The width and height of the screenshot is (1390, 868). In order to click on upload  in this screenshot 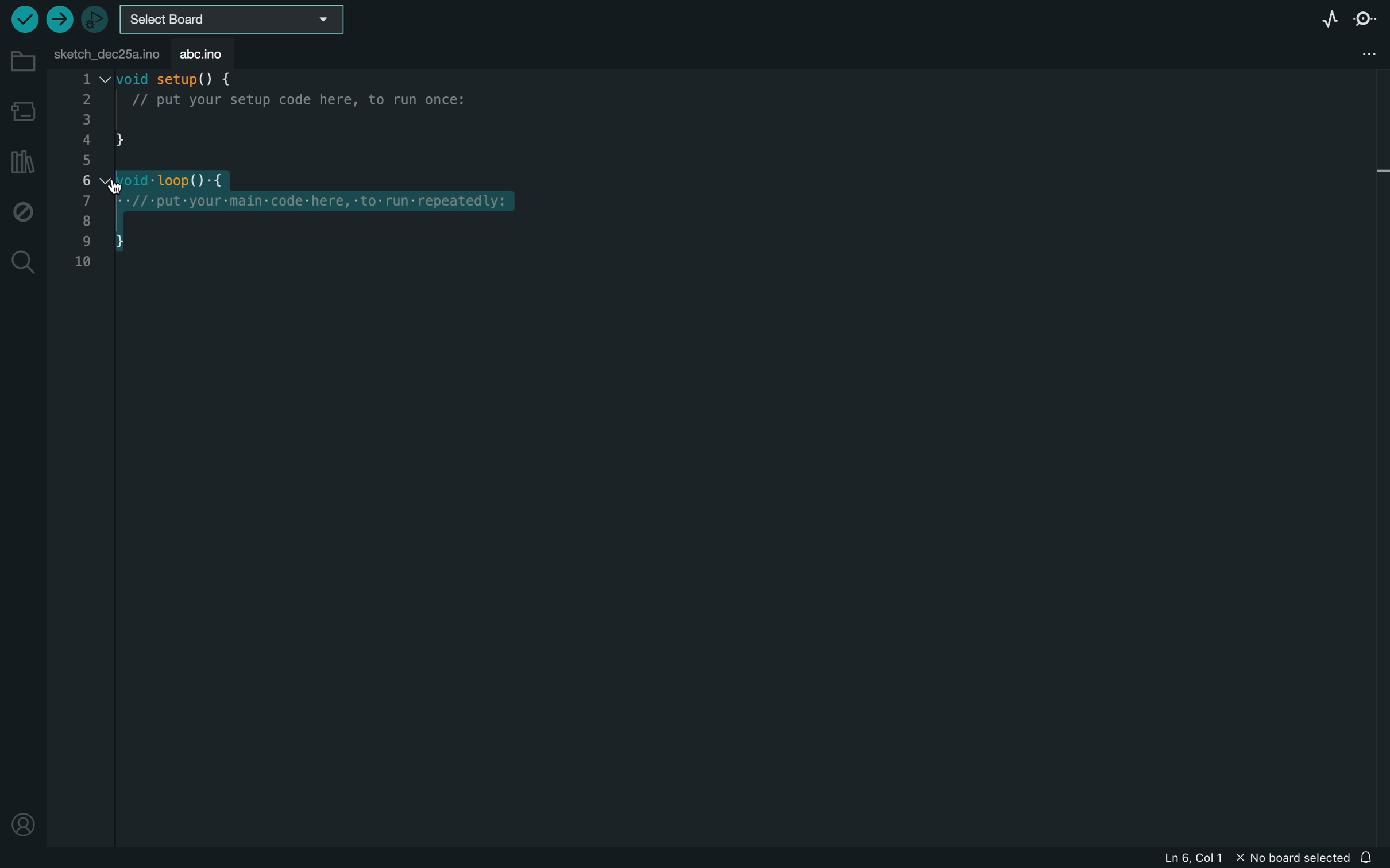, I will do `click(59, 20)`.